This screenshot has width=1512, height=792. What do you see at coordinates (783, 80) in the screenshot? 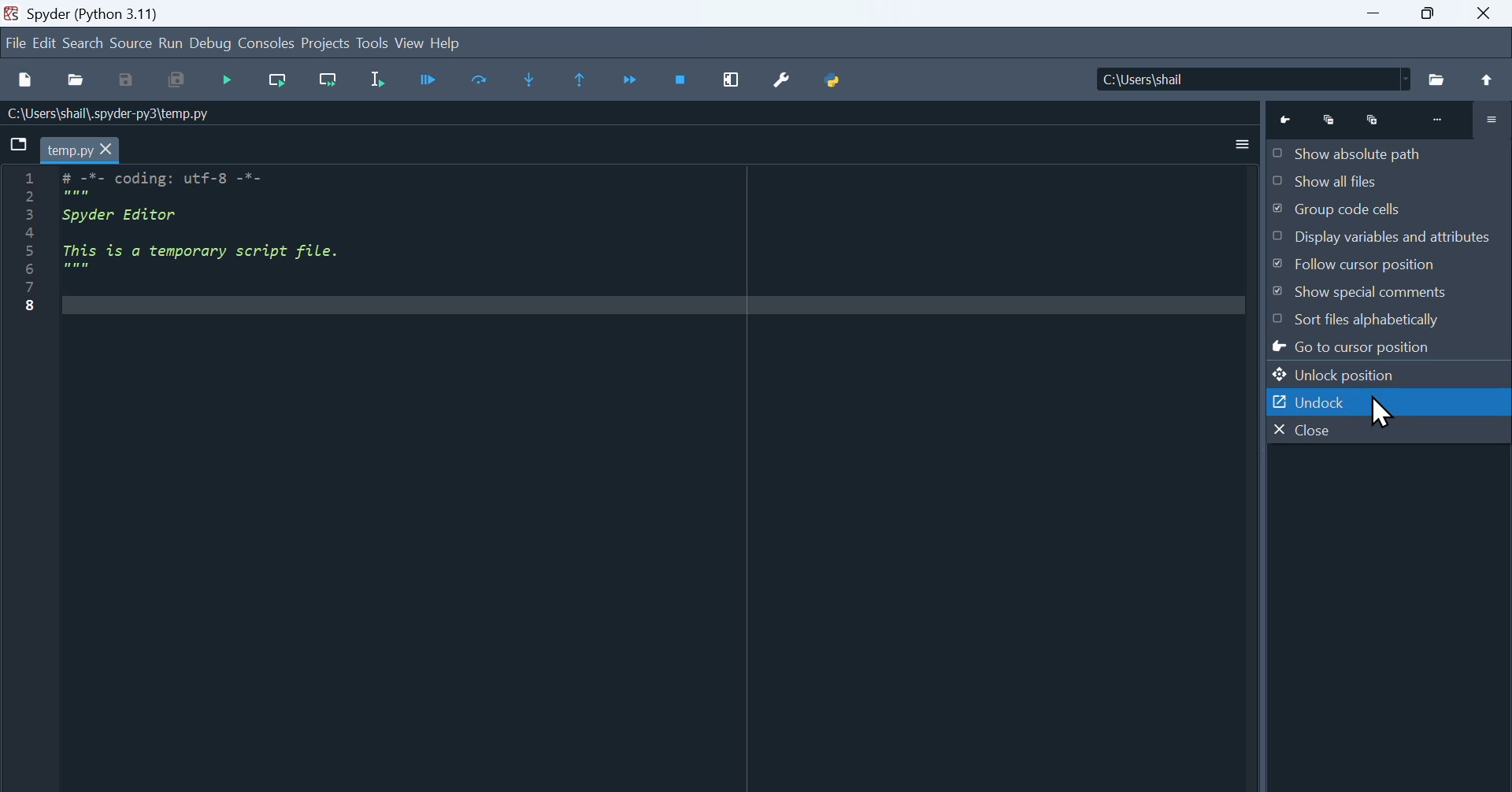
I see `Preferences` at bounding box center [783, 80].